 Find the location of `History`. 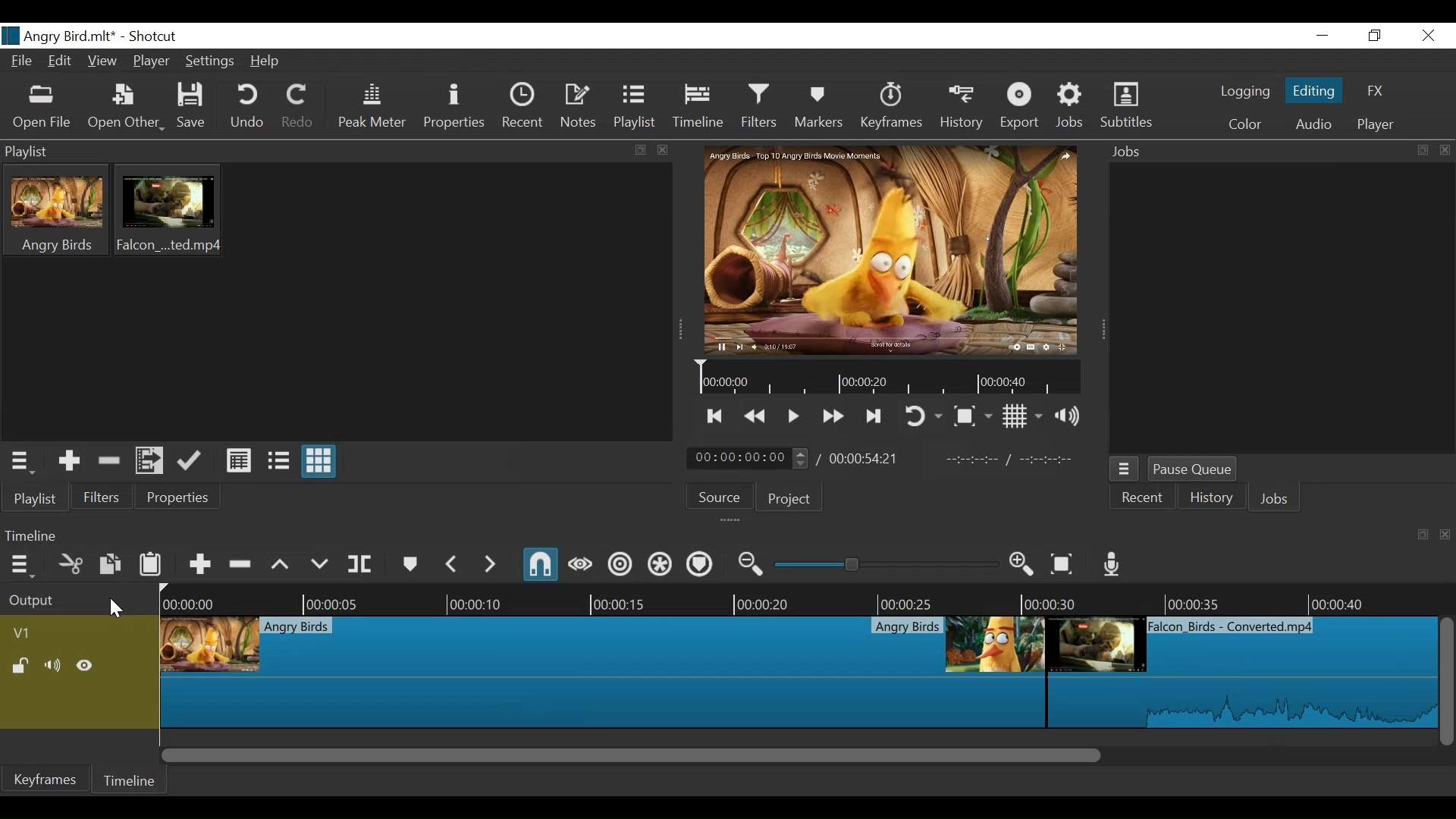

History is located at coordinates (962, 107).